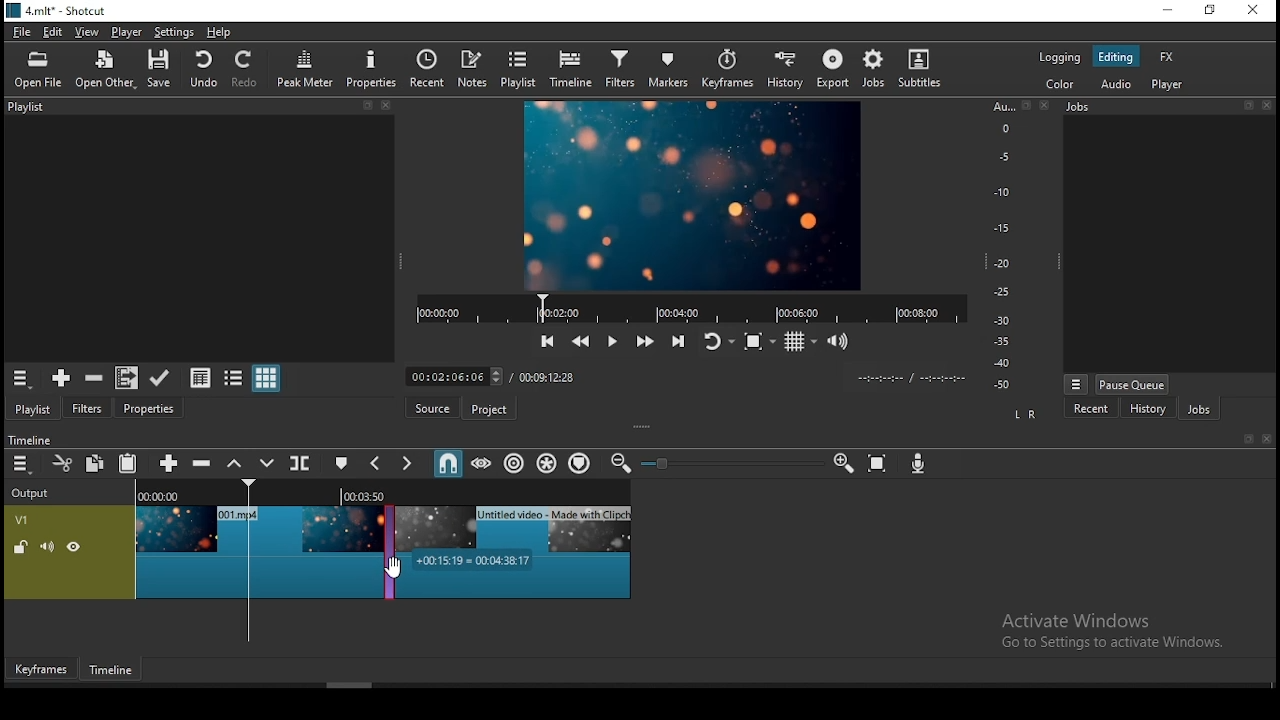 This screenshot has height=720, width=1280. I want to click on export, so click(830, 70).